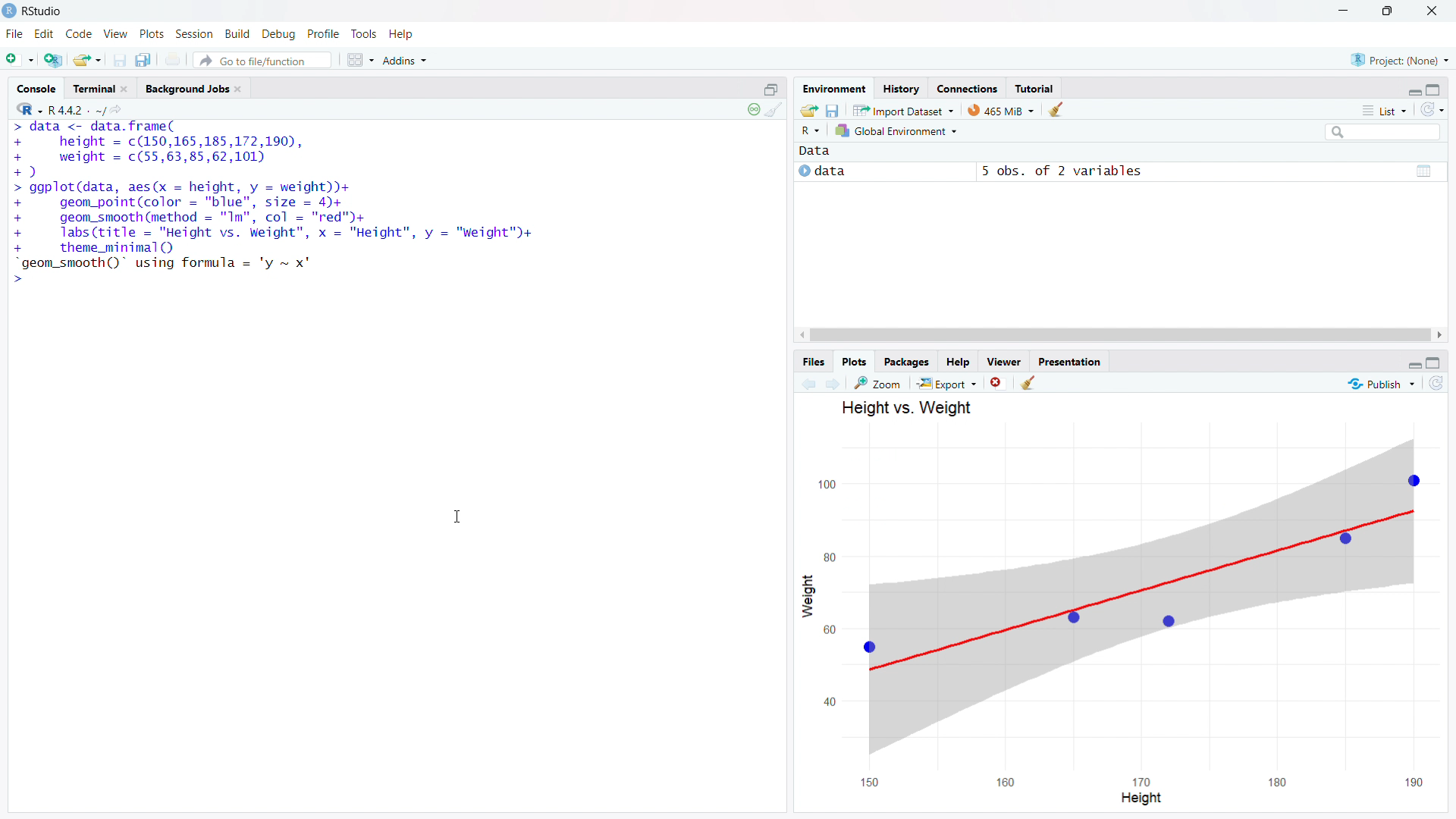  I want to click on edit, so click(45, 34).